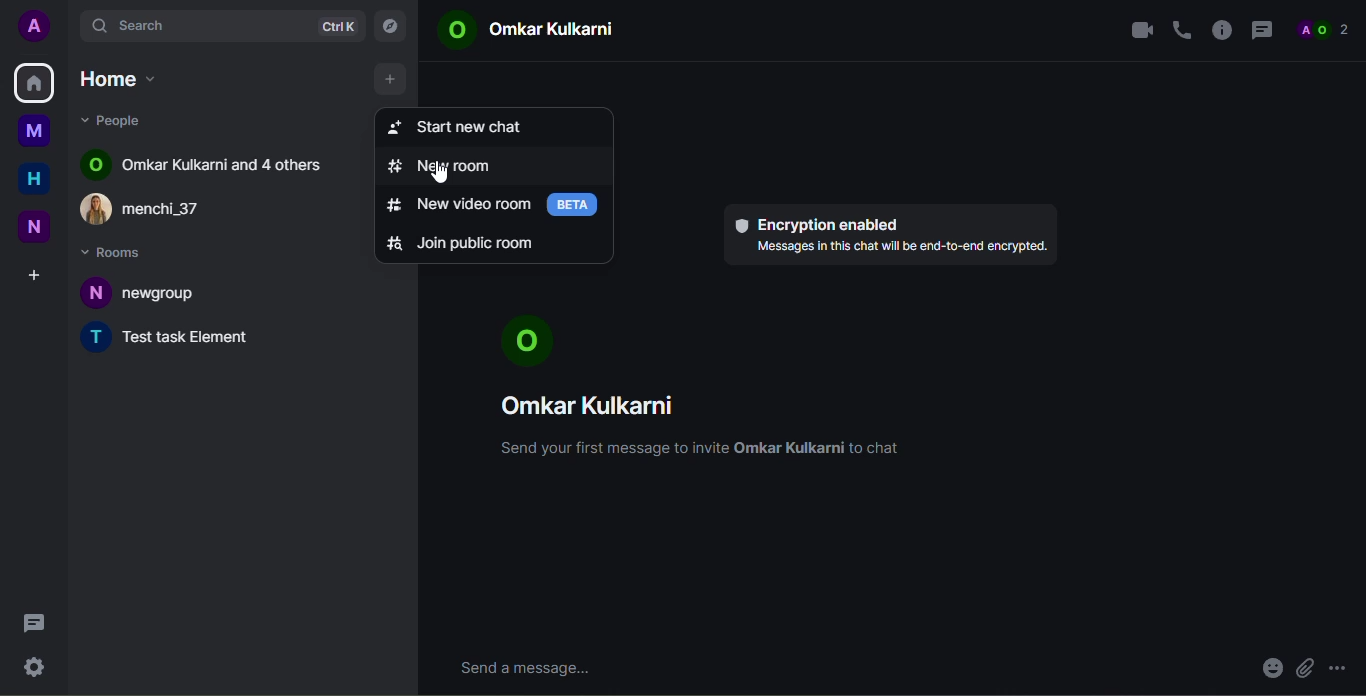  What do you see at coordinates (530, 341) in the screenshot?
I see `profile pic` at bounding box center [530, 341].